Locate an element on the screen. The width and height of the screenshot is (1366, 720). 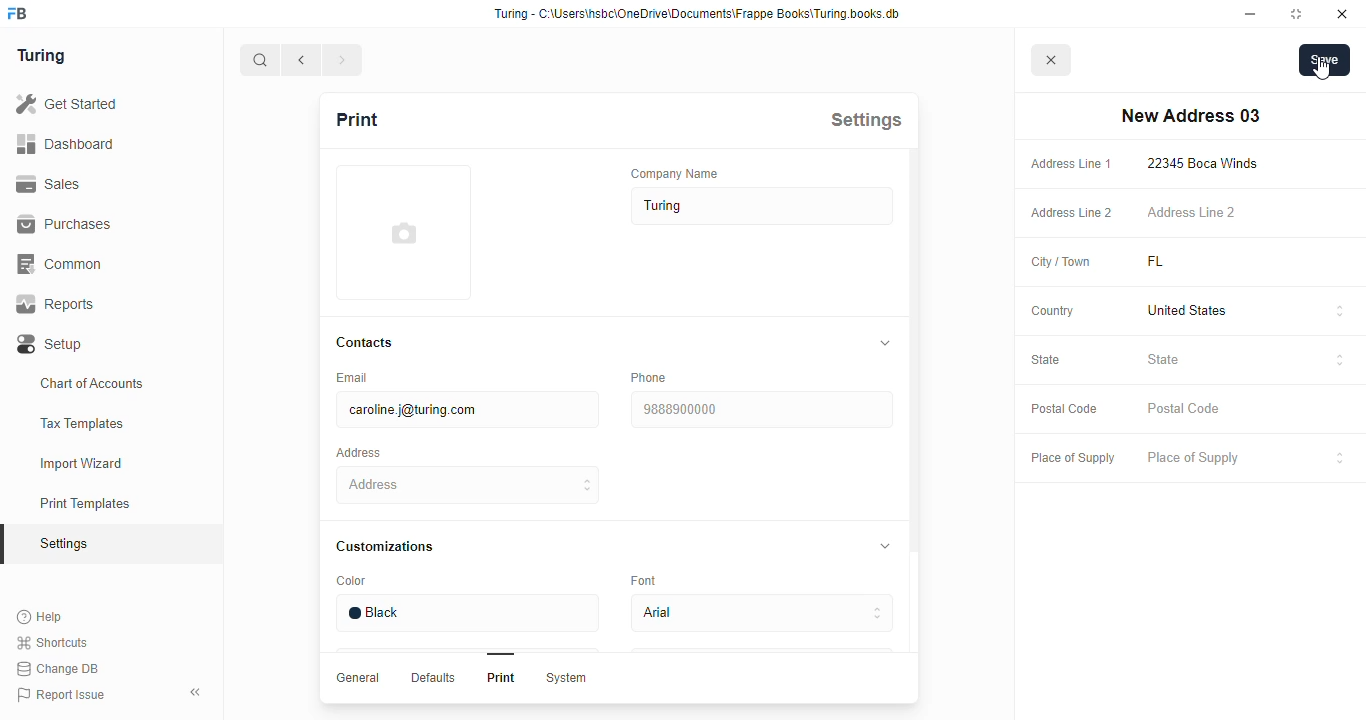
settings is located at coordinates (66, 545).